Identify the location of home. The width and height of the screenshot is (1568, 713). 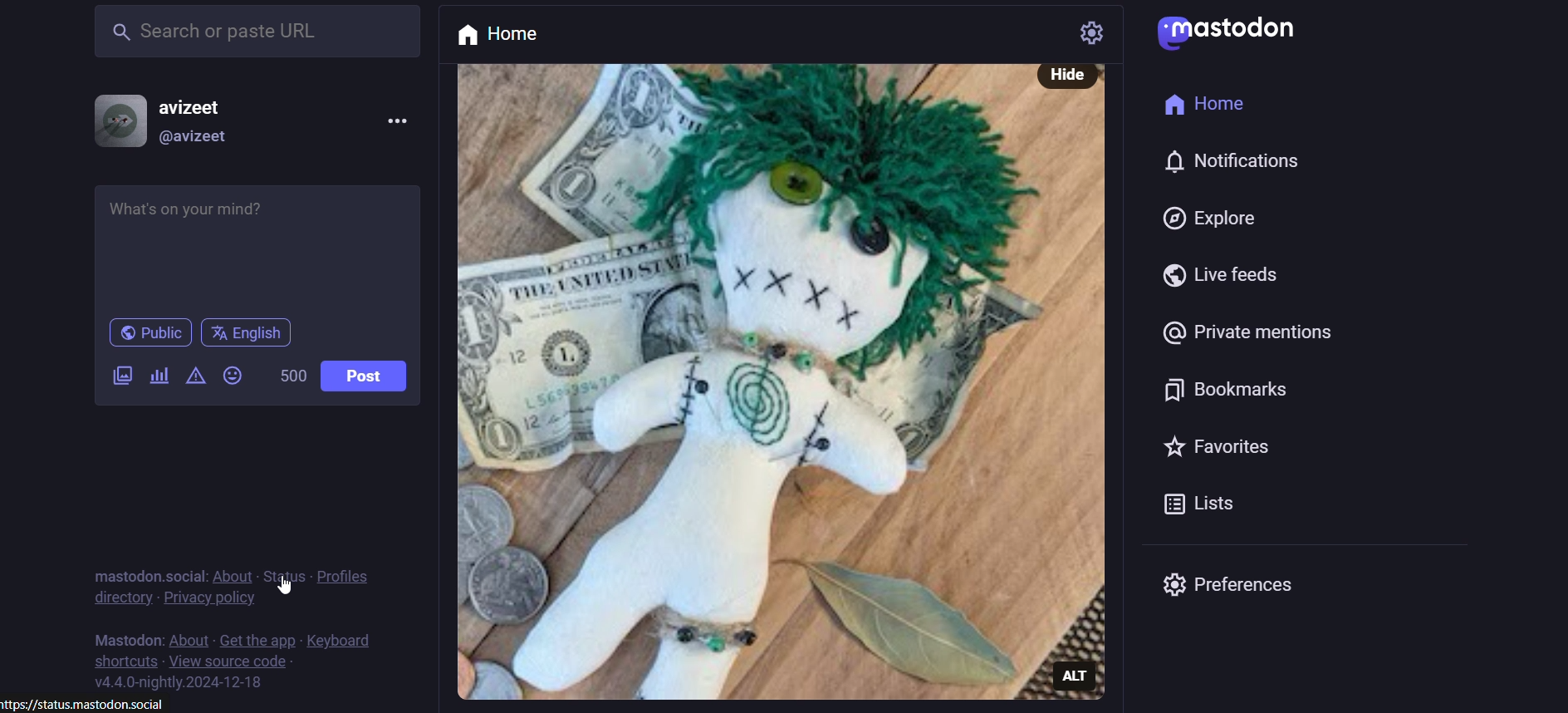
(1208, 106).